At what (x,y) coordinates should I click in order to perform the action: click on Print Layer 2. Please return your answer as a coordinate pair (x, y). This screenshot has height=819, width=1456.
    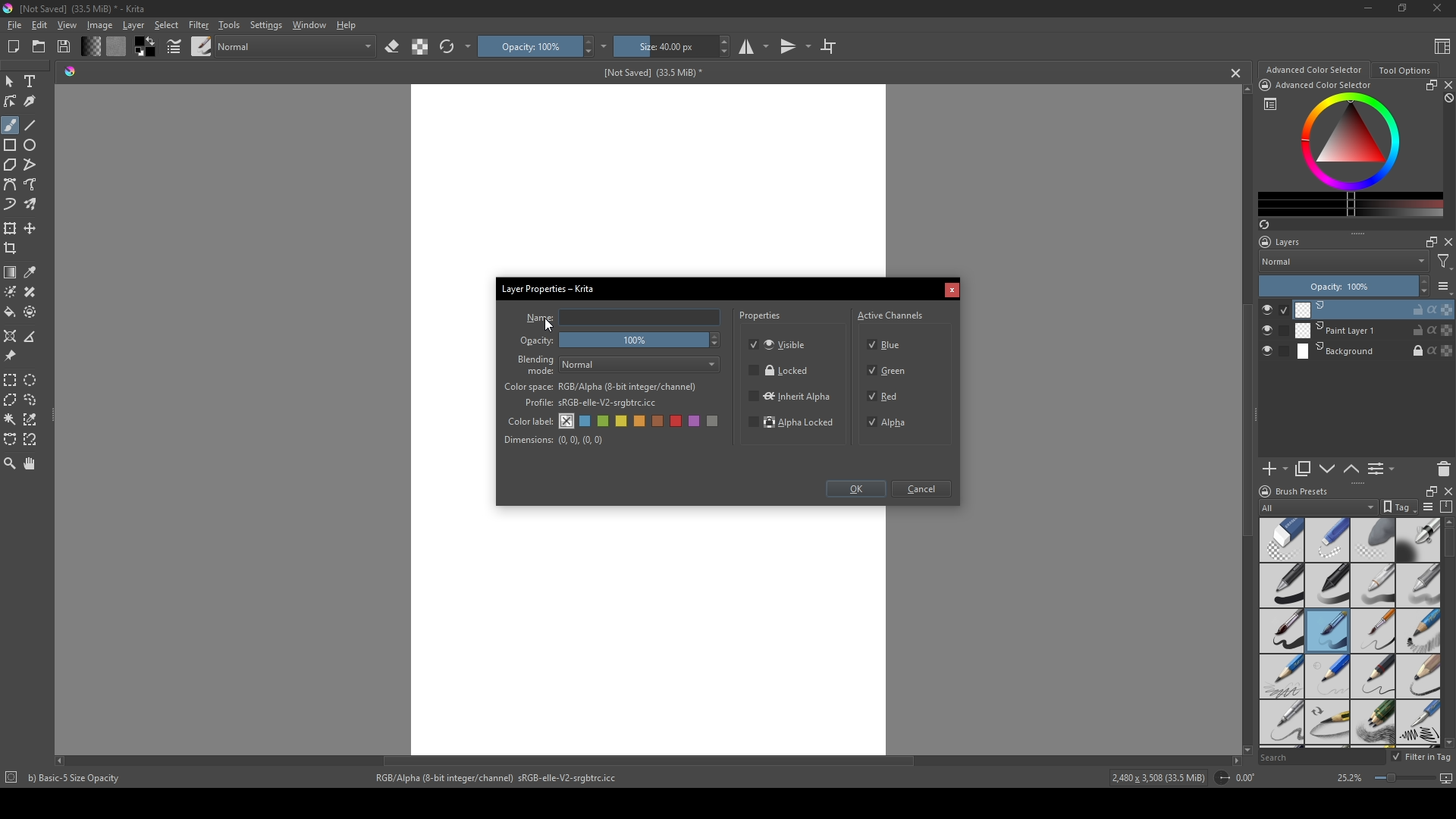
    Looking at the image, I should click on (1373, 309).